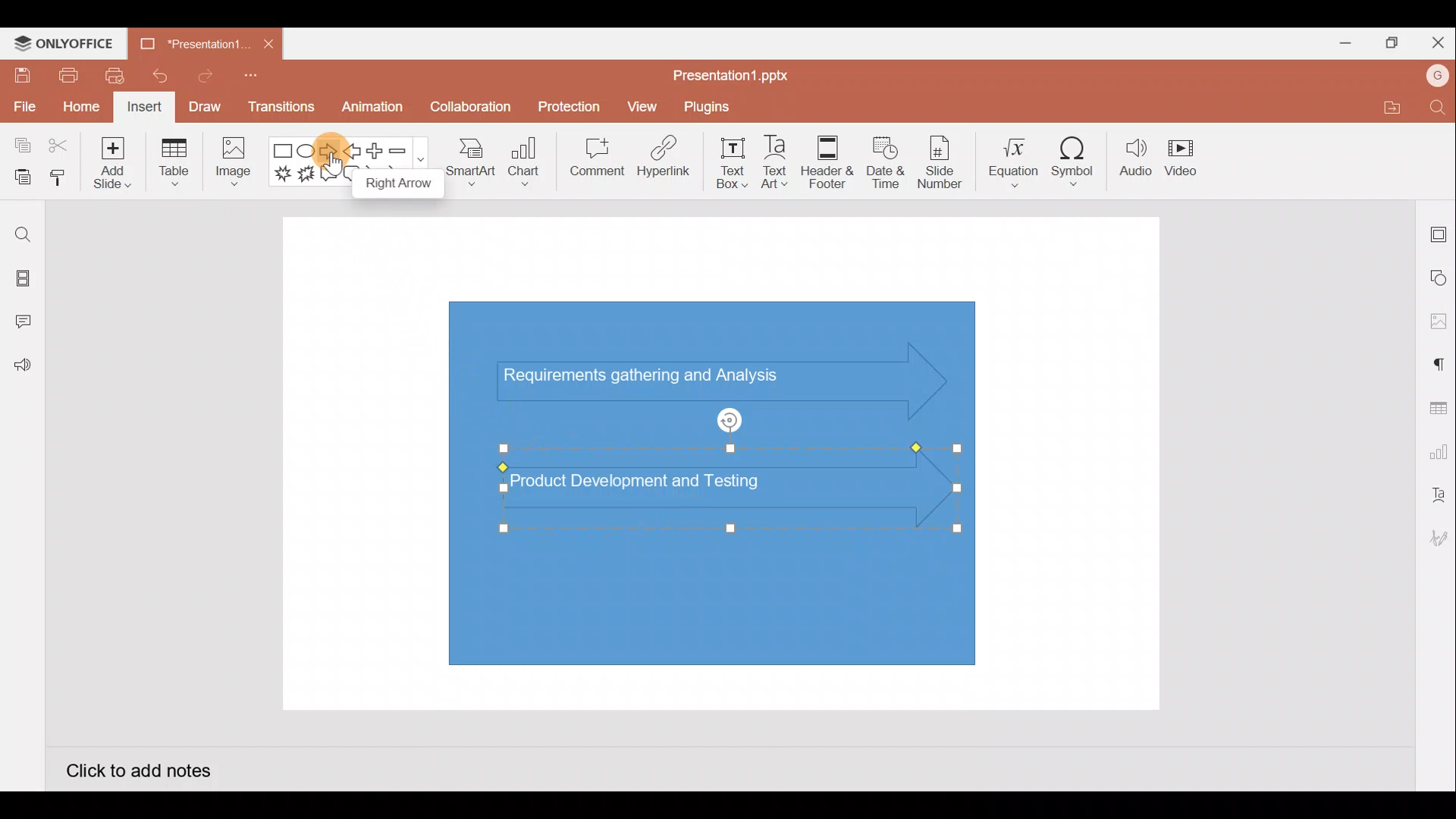 This screenshot has height=819, width=1456. Describe the element at coordinates (110, 76) in the screenshot. I see `Quick print` at that location.